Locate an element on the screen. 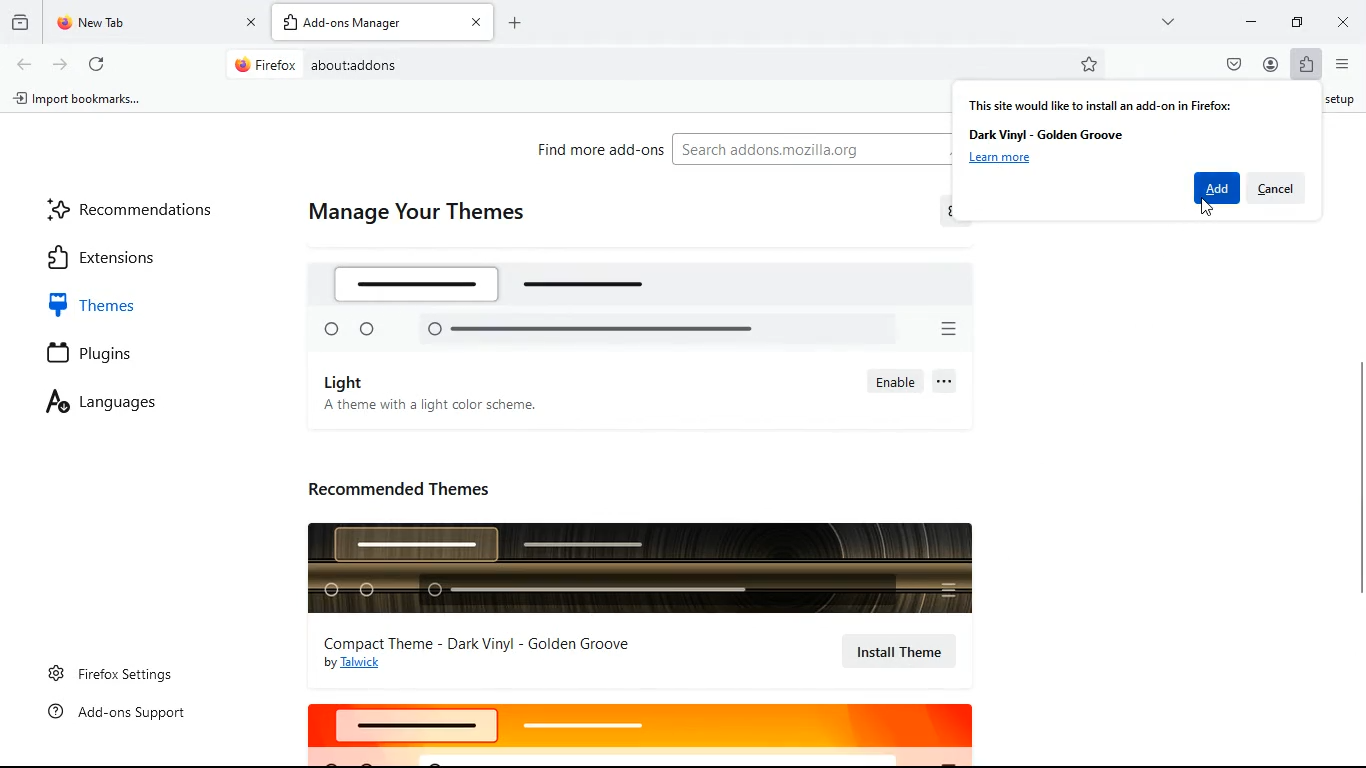 Image resolution: width=1366 pixels, height=768 pixels. minimize is located at coordinates (1246, 20).